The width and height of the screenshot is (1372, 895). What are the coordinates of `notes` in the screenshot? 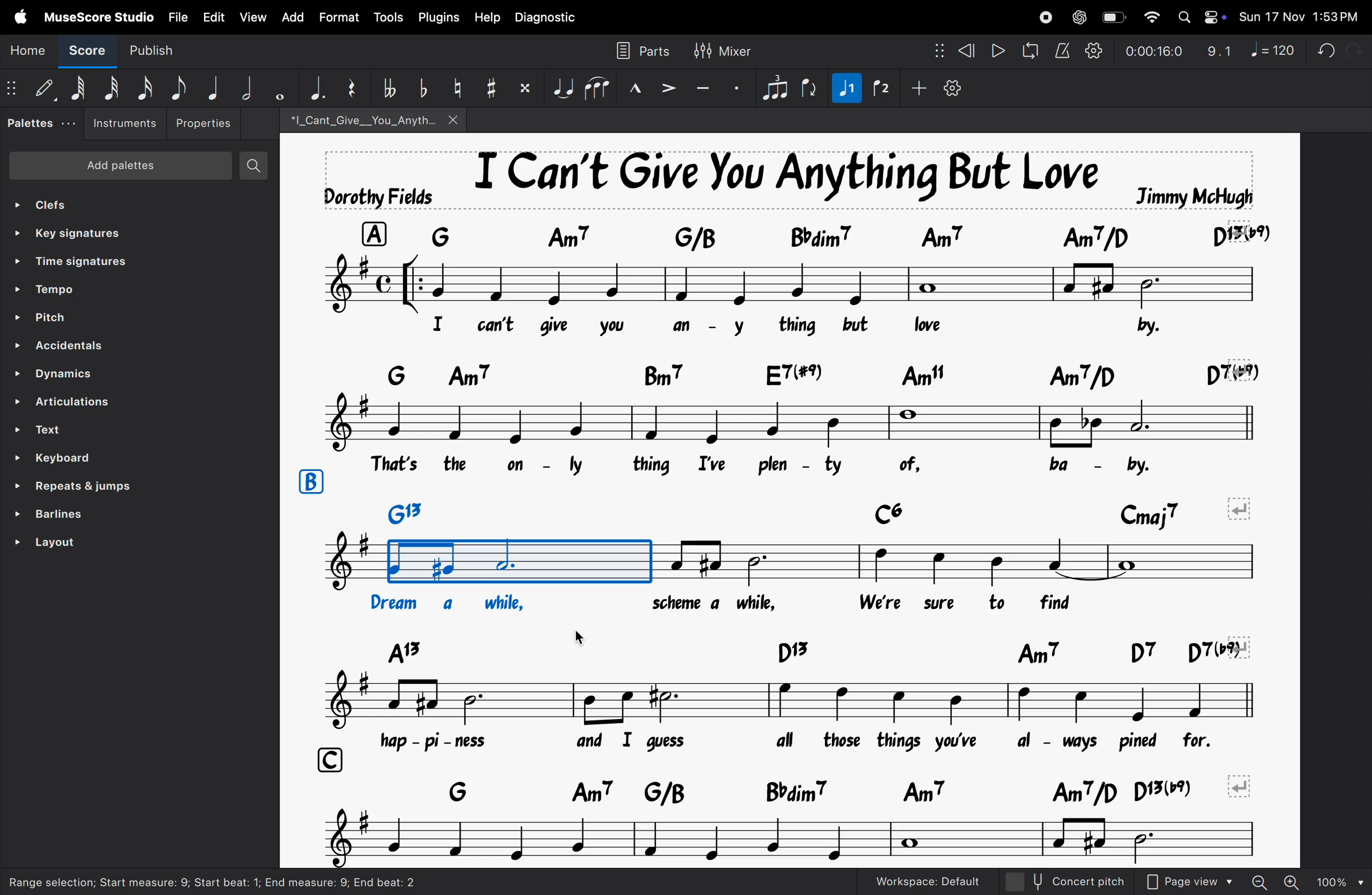 It's located at (778, 287).